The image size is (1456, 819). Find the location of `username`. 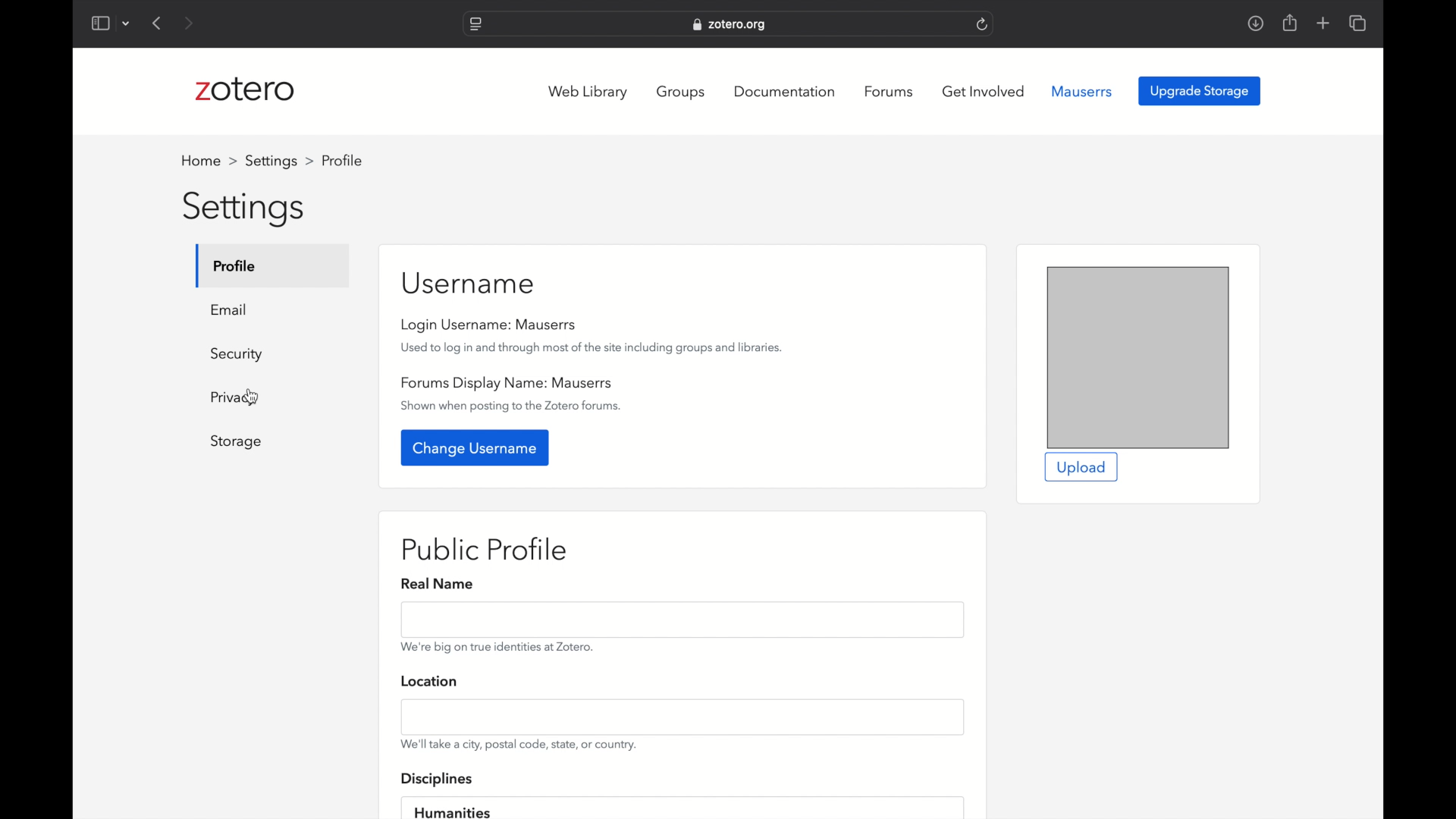

username is located at coordinates (469, 283).